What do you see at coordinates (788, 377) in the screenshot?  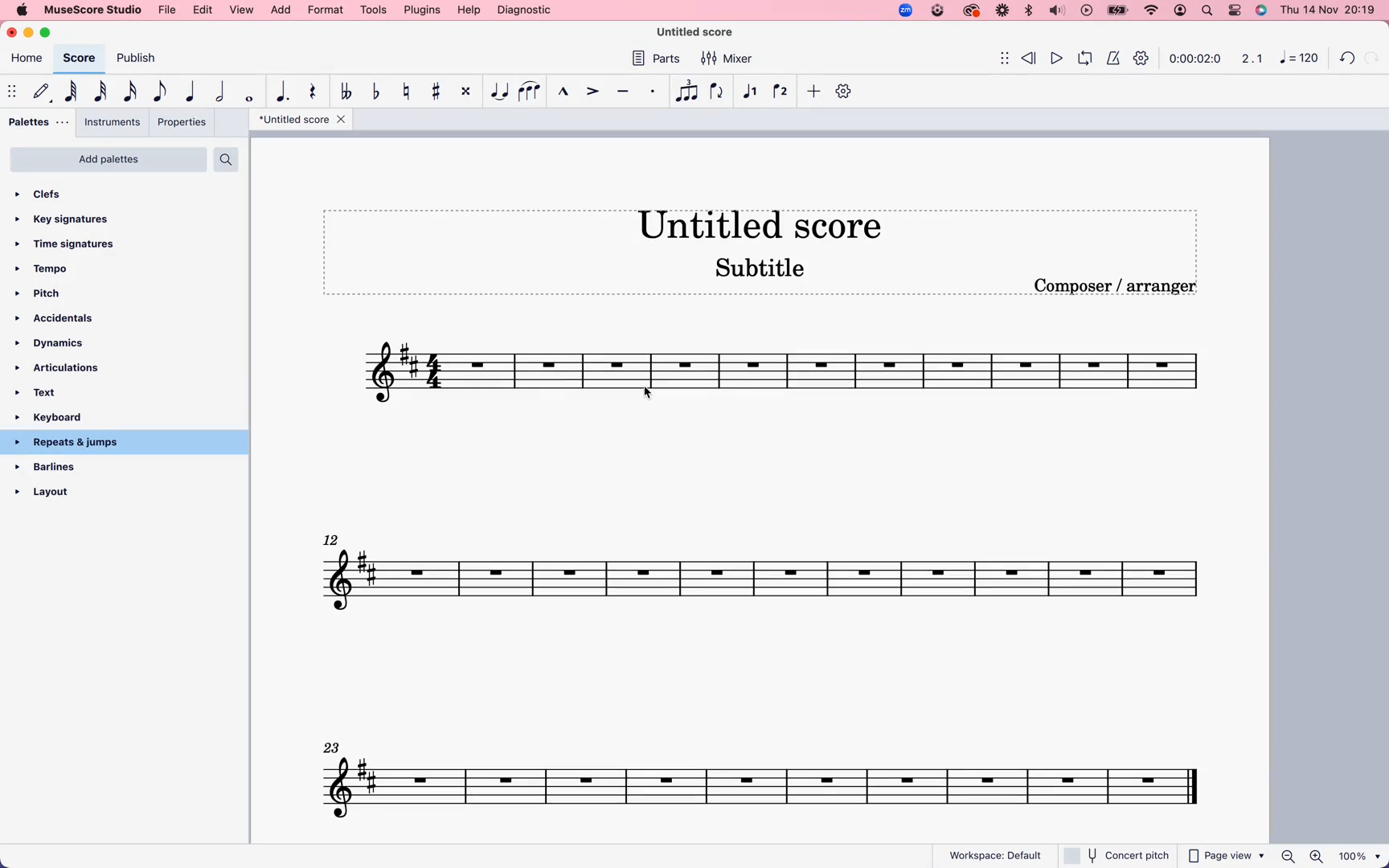 I see `score` at bounding box center [788, 377].